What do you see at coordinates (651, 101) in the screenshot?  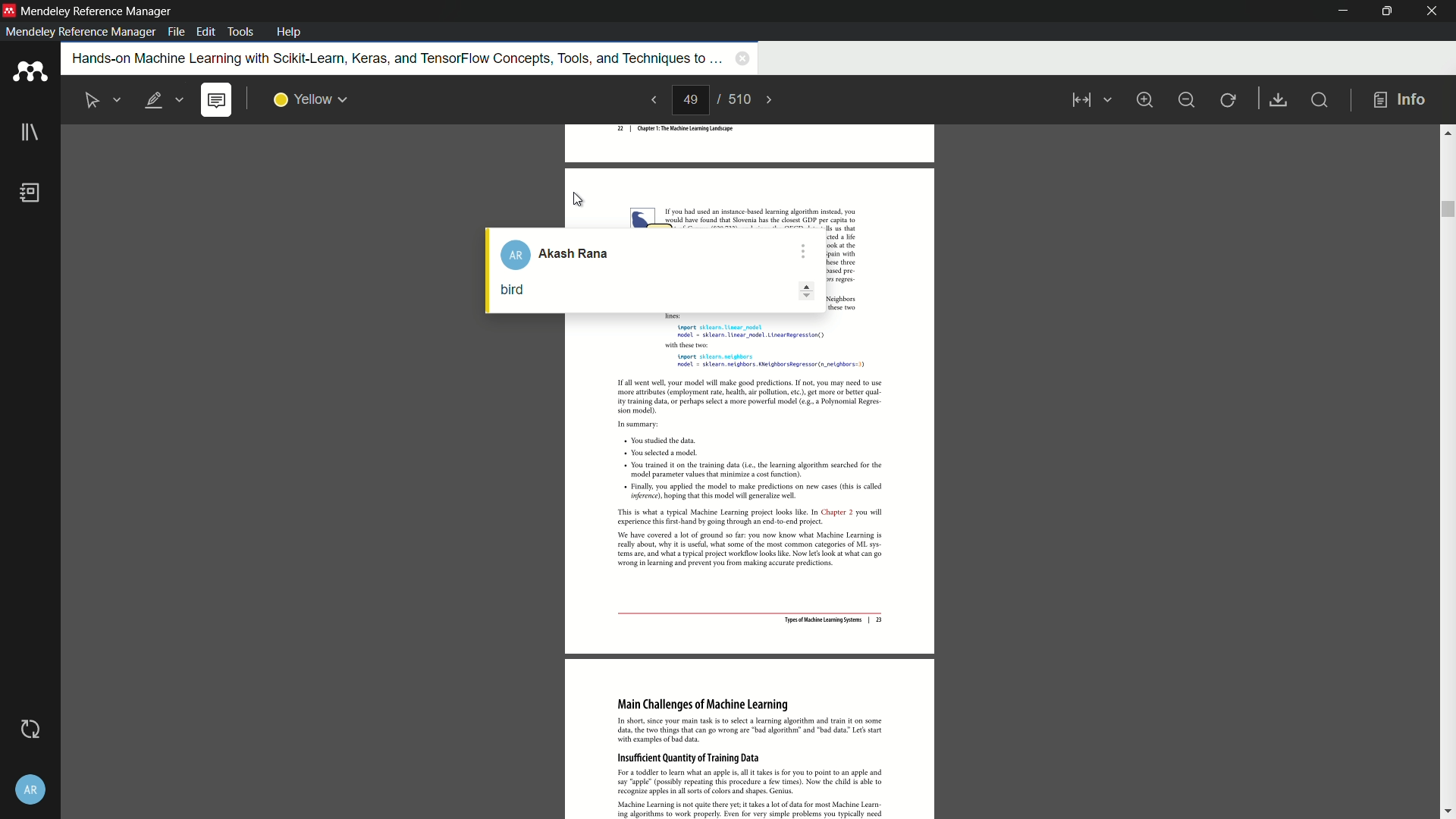 I see `previous page` at bounding box center [651, 101].